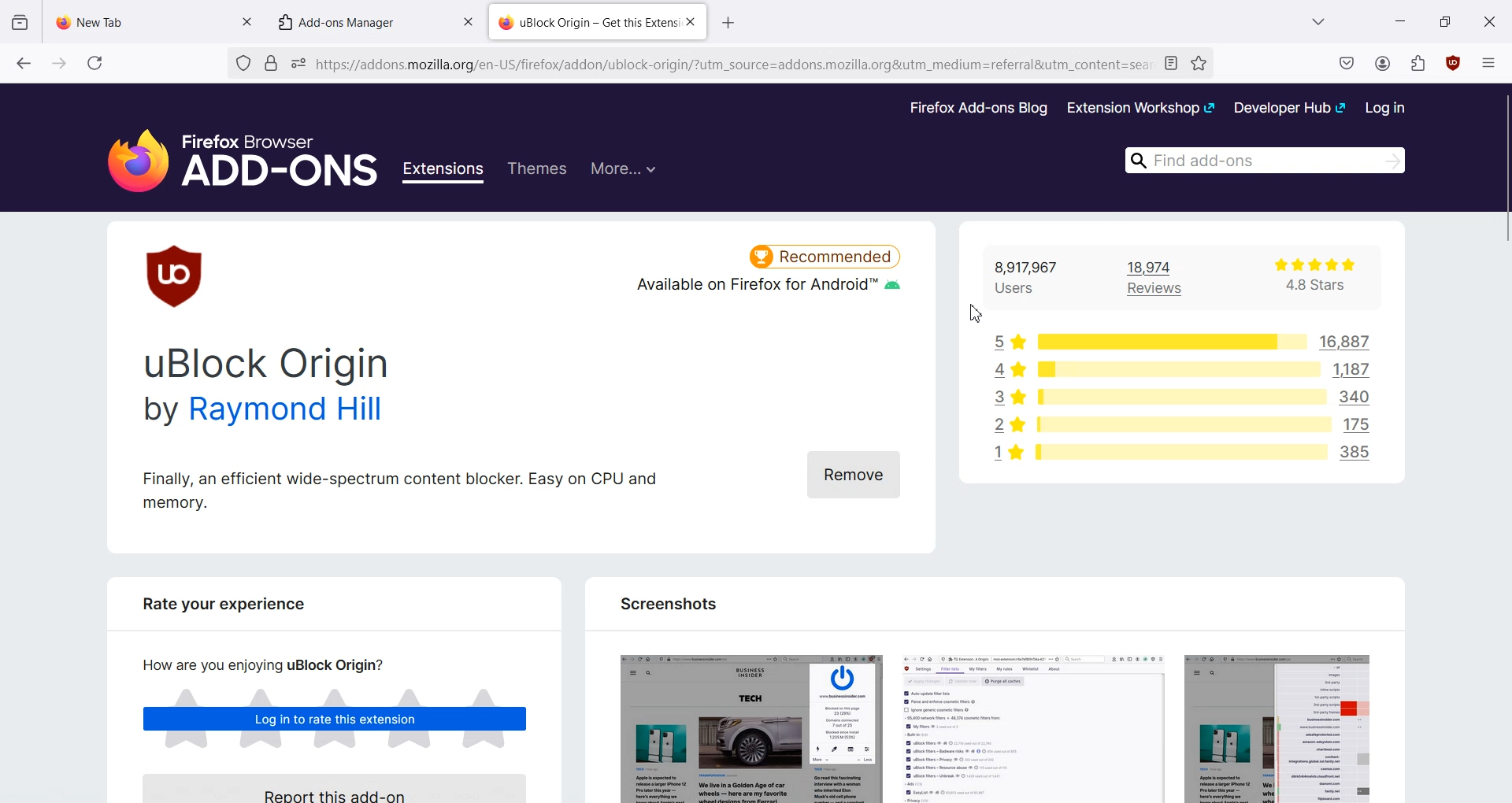  What do you see at coordinates (1358, 370) in the screenshot?
I see `1187 users` at bounding box center [1358, 370].